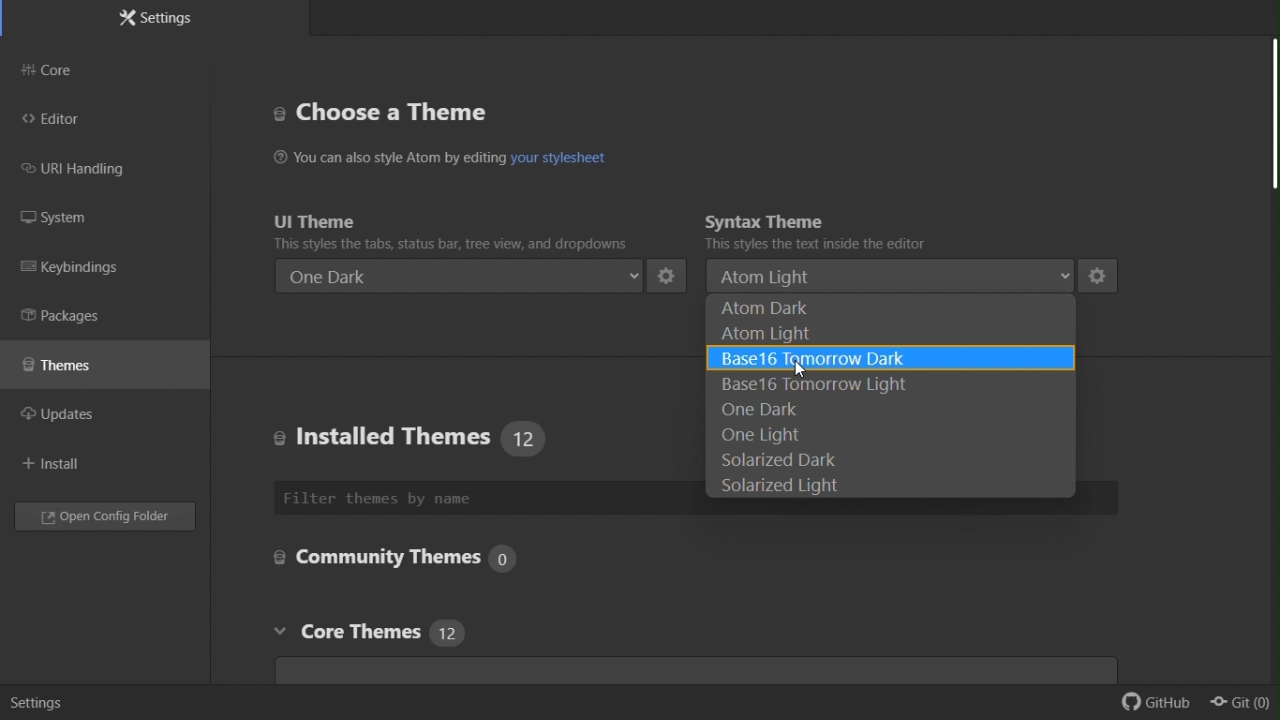 This screenshot has width=1280, height=720. Describe the element at coordinates (1269, 114) in the screenshot. I see `scroll bar` at that location.